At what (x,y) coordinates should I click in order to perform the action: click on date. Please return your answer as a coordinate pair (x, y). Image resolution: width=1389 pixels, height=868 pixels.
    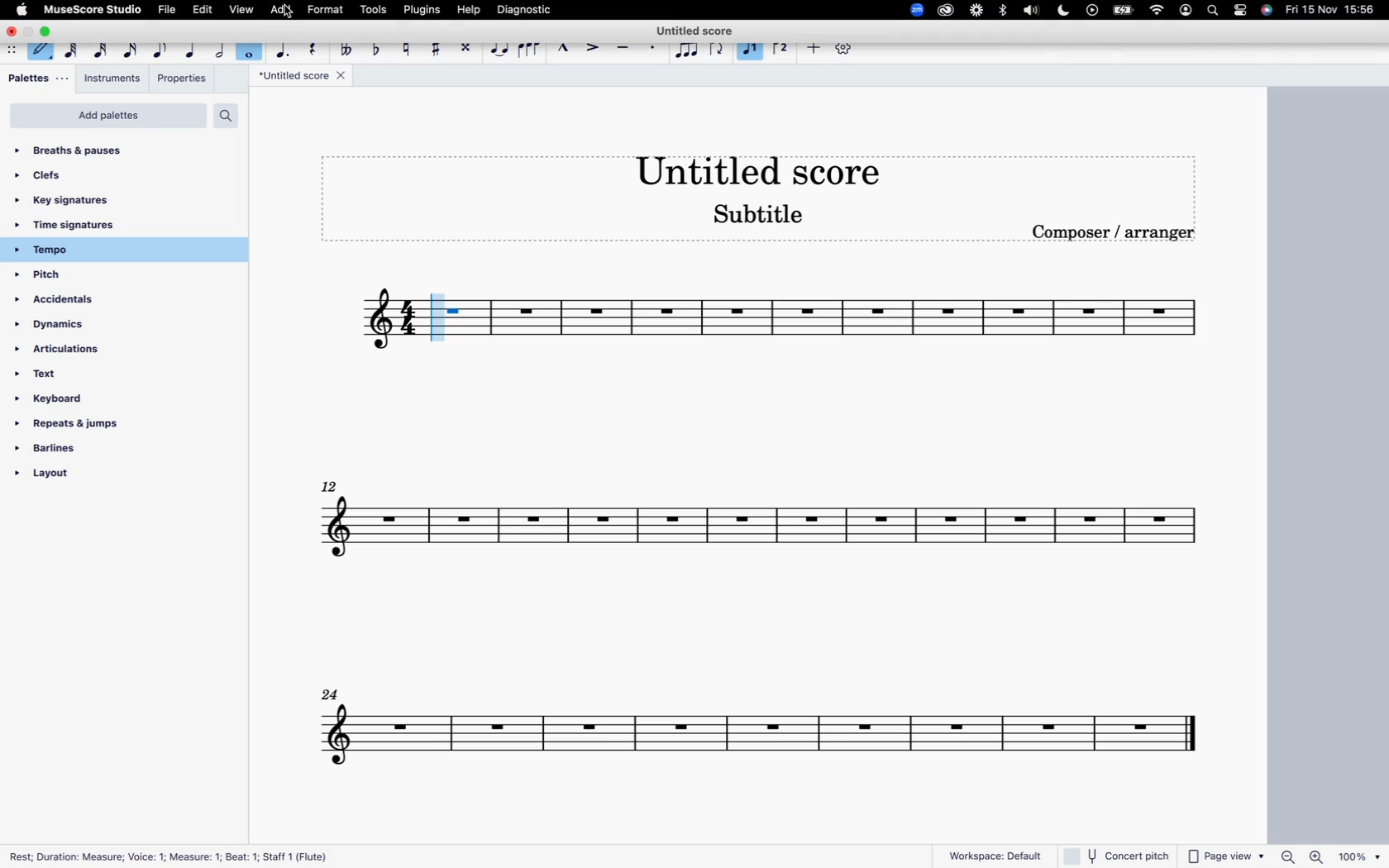
    Looking at the image, I should click on (1331, 12).